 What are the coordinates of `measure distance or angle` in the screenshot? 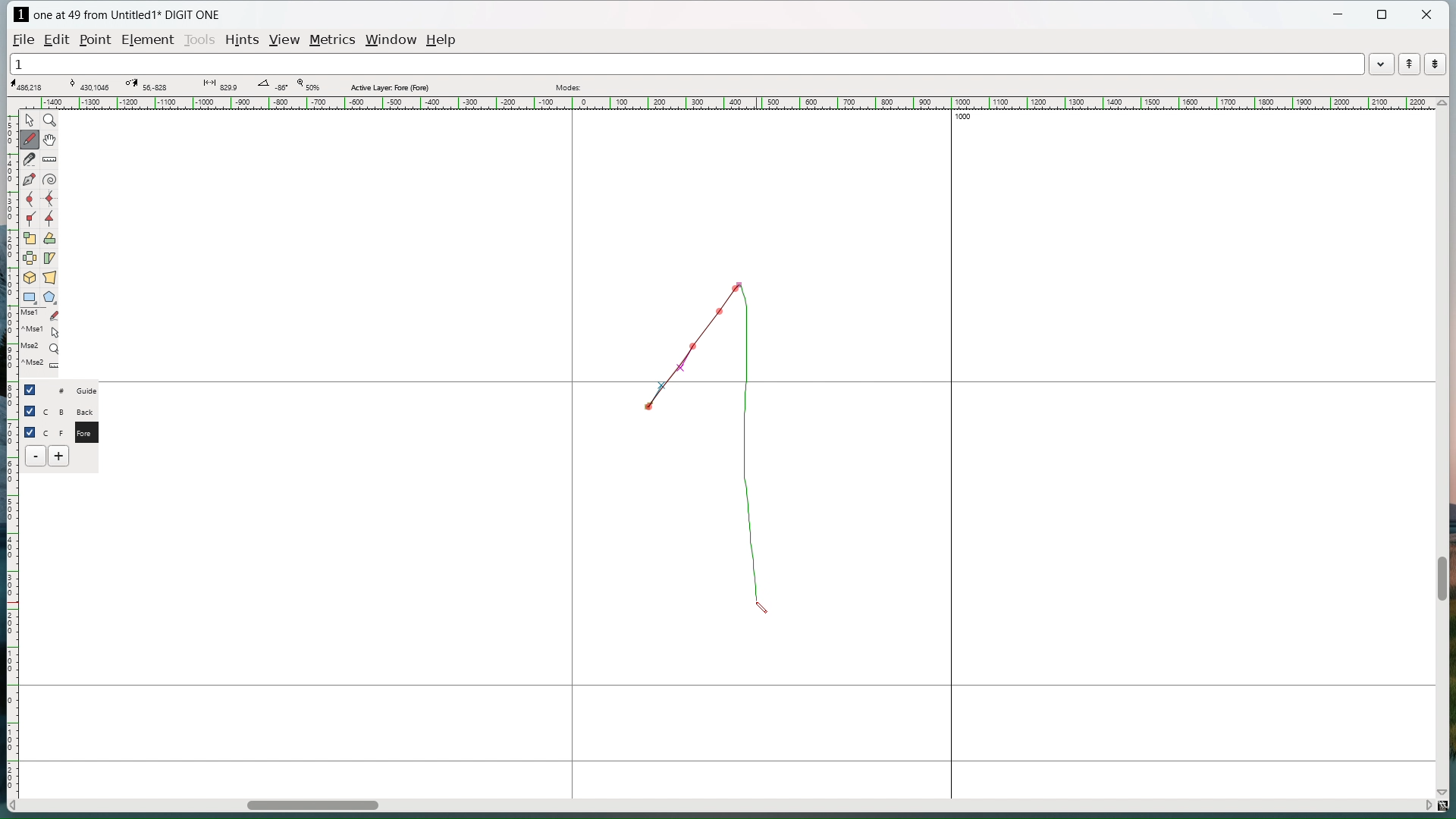 It's located at (51, 158).